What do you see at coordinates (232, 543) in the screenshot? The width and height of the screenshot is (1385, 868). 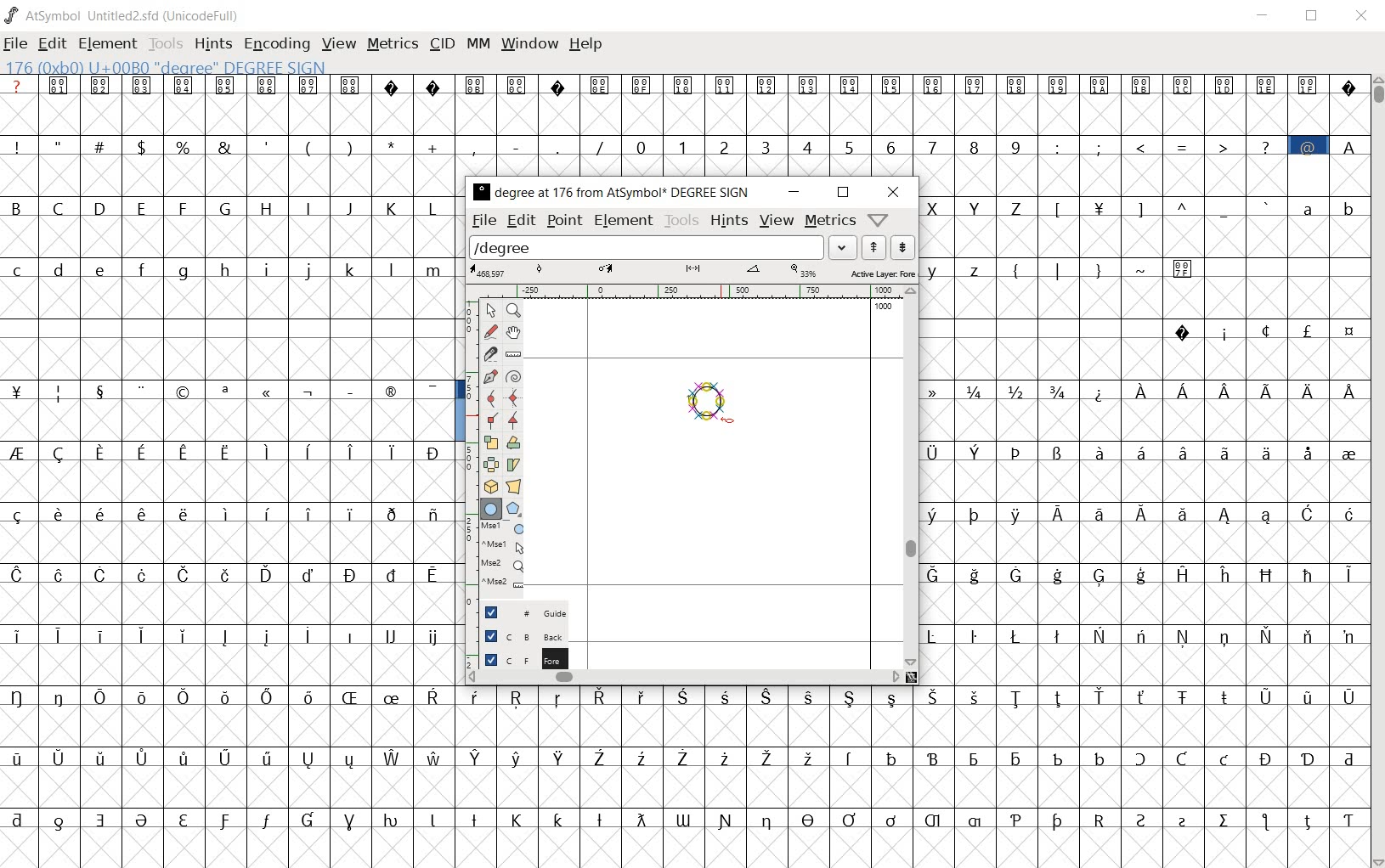 I see `empty glyph slots` at bounding box center [232, 543].